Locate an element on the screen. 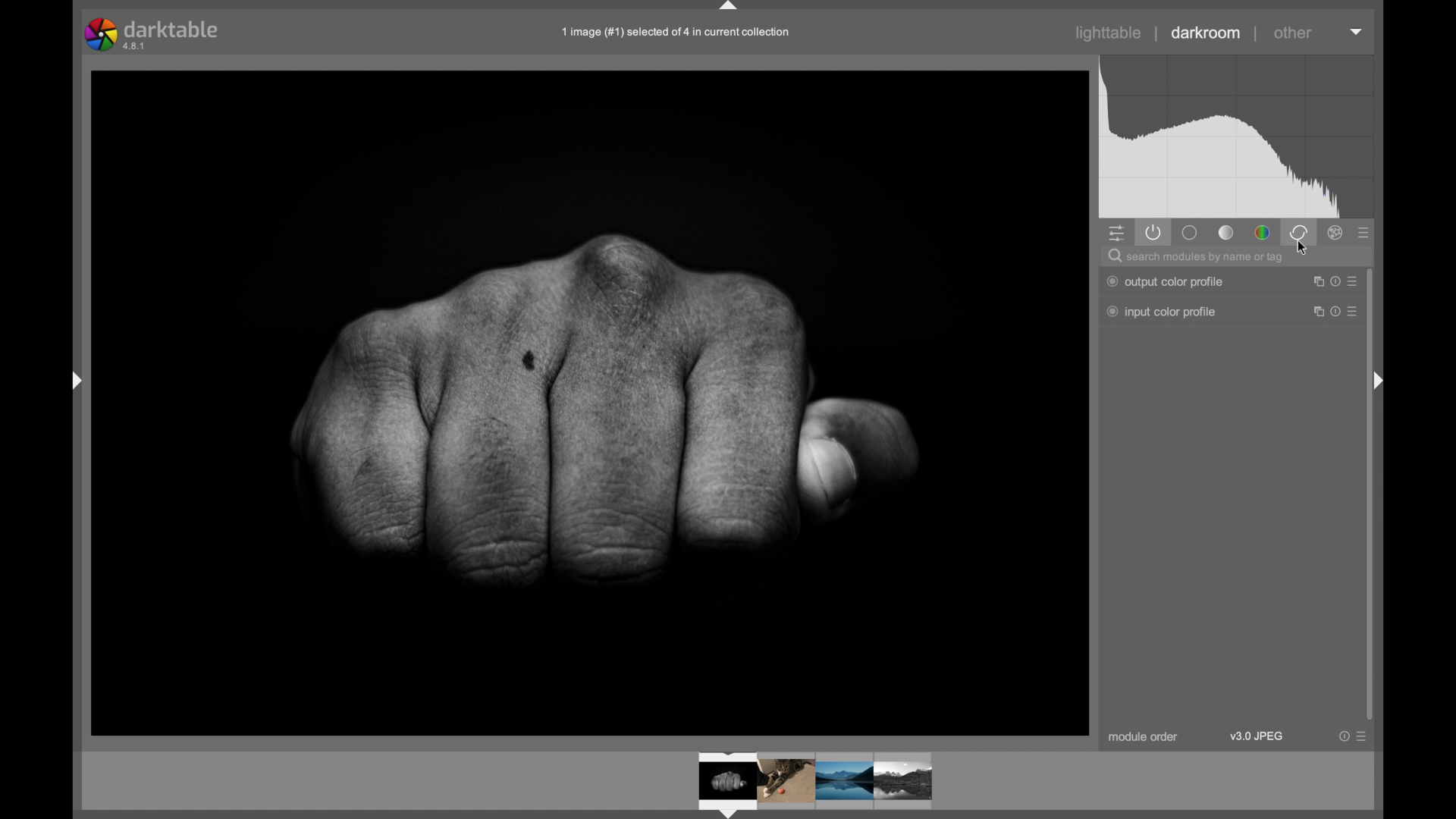  tone is located at coordinates (1227, 233).